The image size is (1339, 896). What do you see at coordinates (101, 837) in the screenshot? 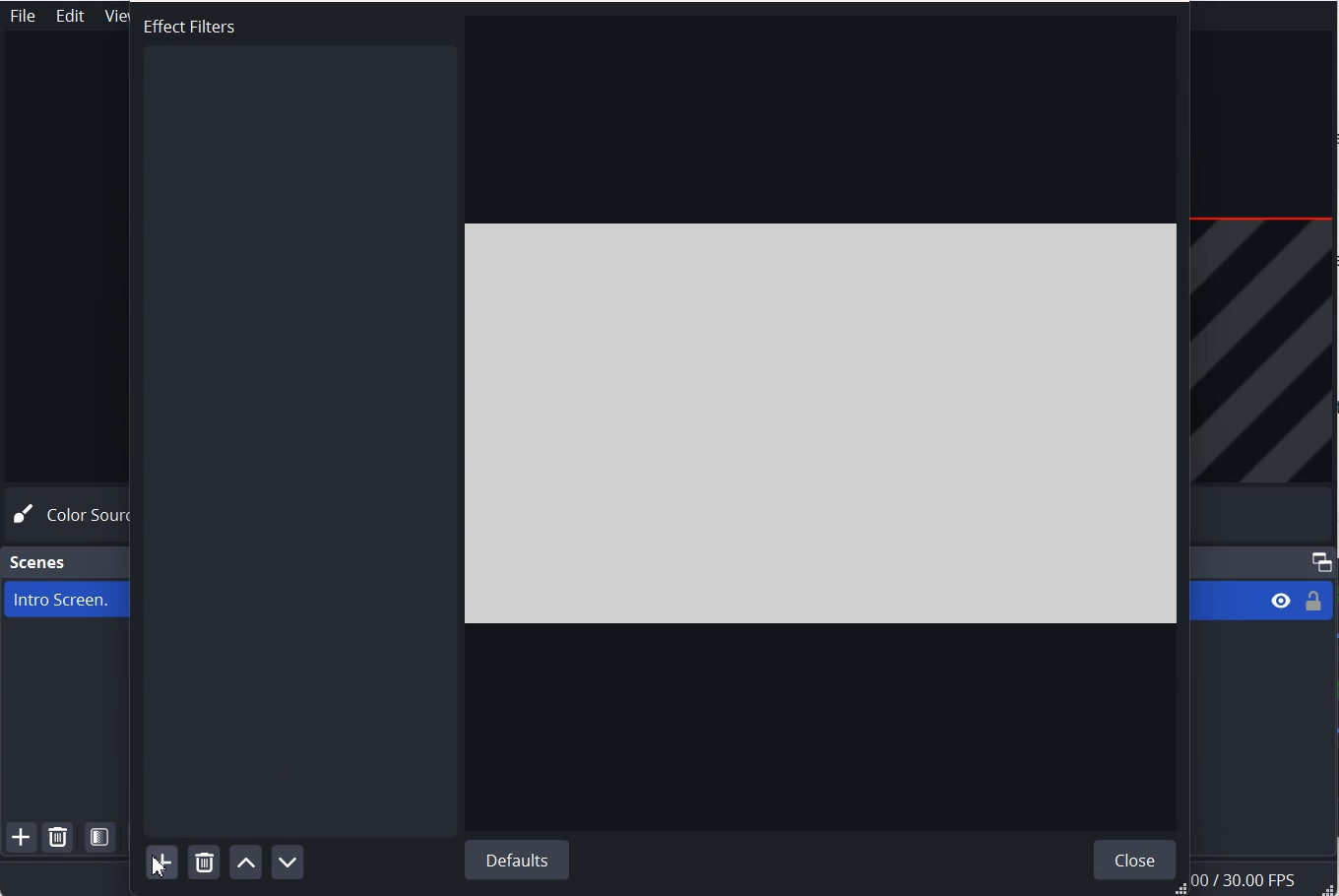
I see `Open Scene Filter` at bounding box center [101, 837].